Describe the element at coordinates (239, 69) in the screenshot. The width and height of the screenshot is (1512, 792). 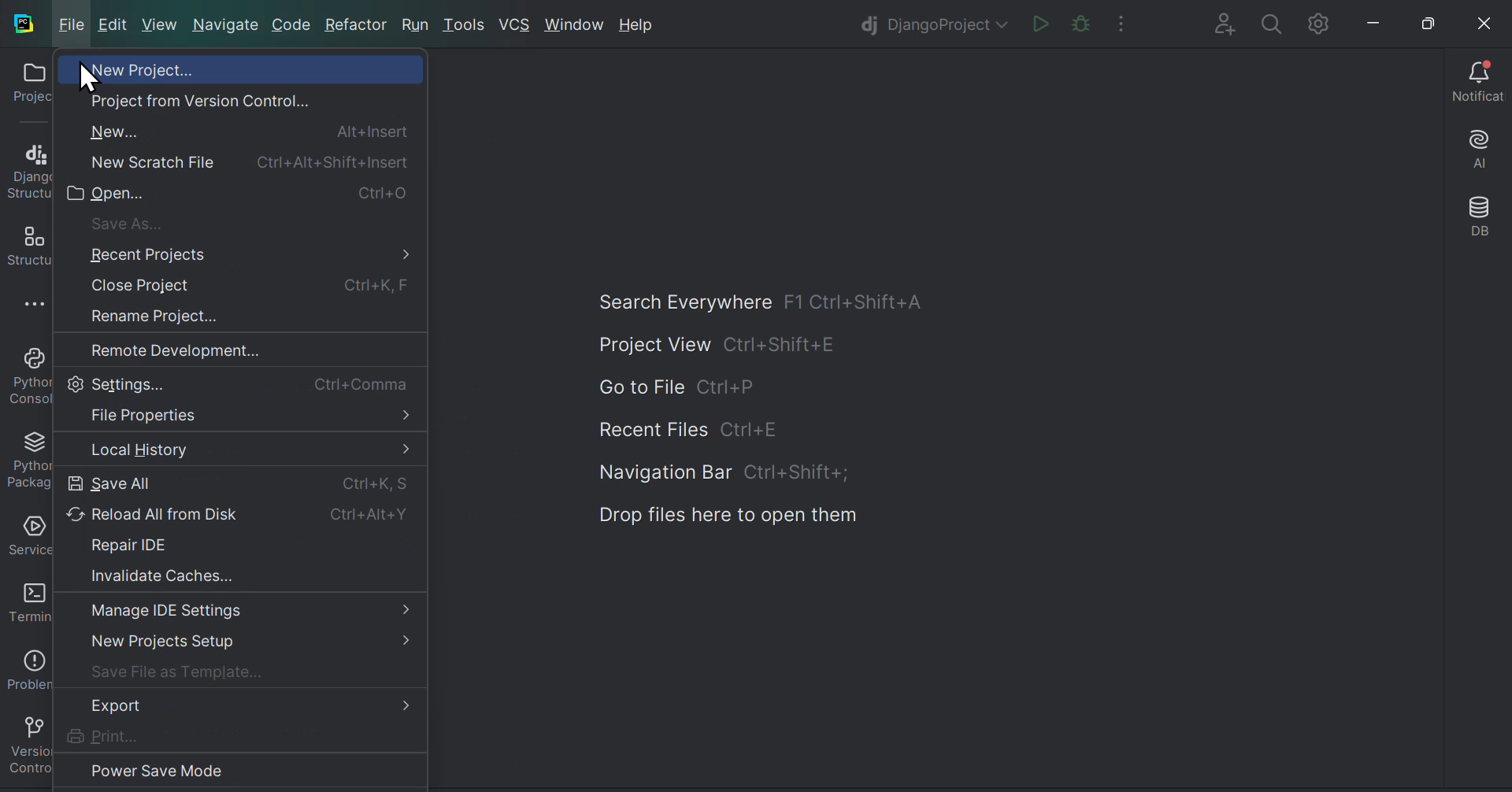
I see `New project` at that location.